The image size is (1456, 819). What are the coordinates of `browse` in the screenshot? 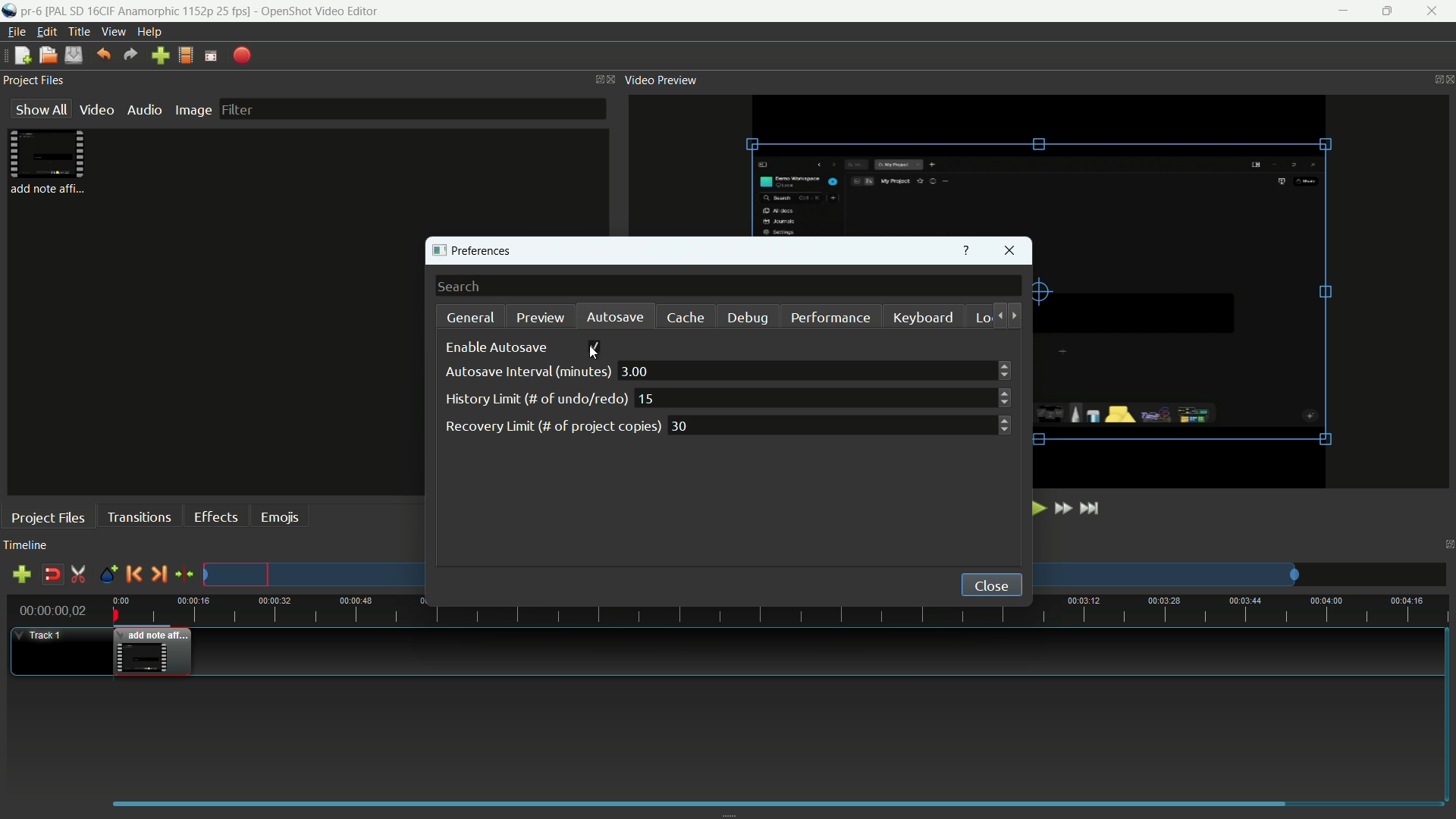 It's located at (979, 488).